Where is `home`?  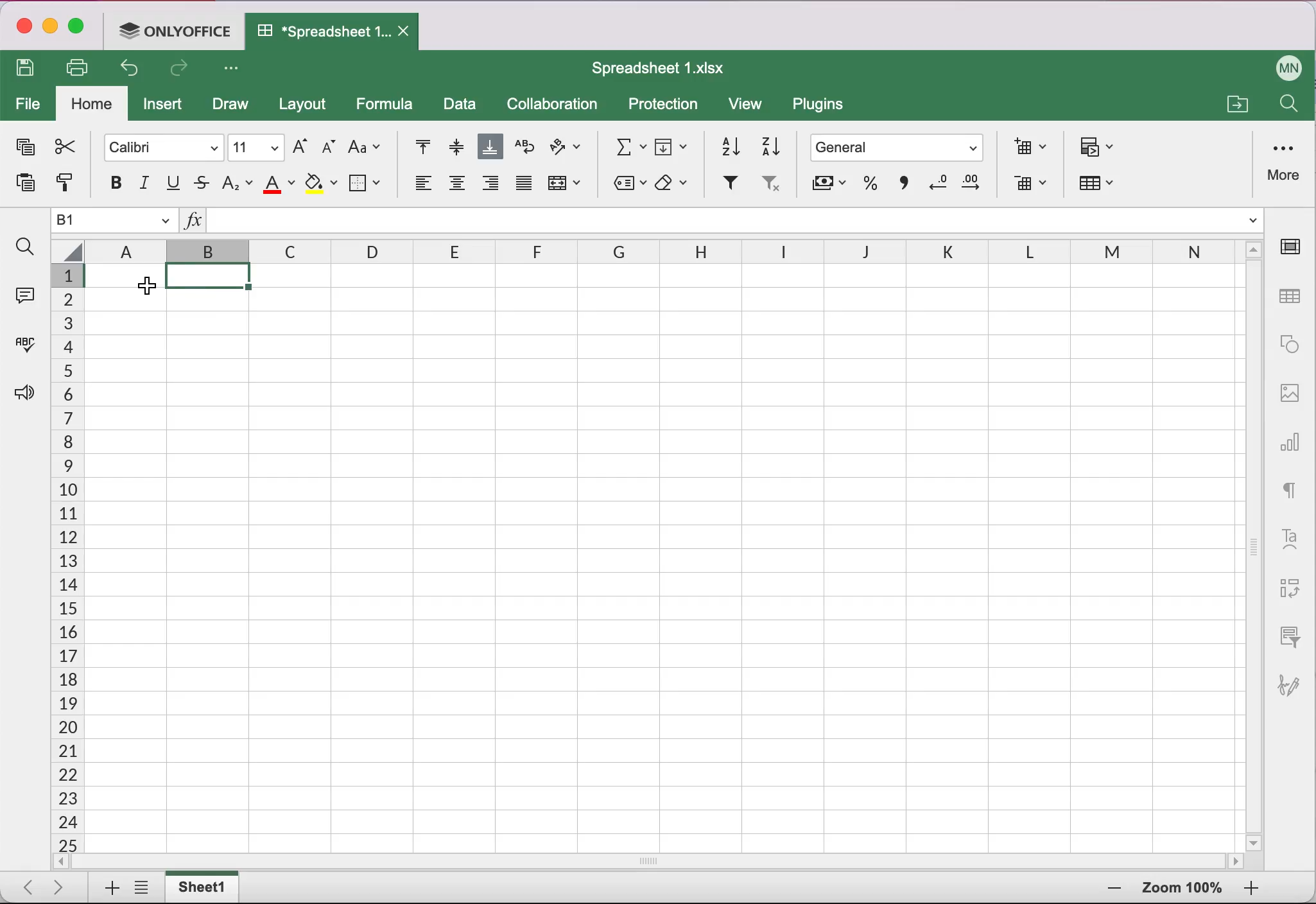 home is located at coordinates (92, 105).